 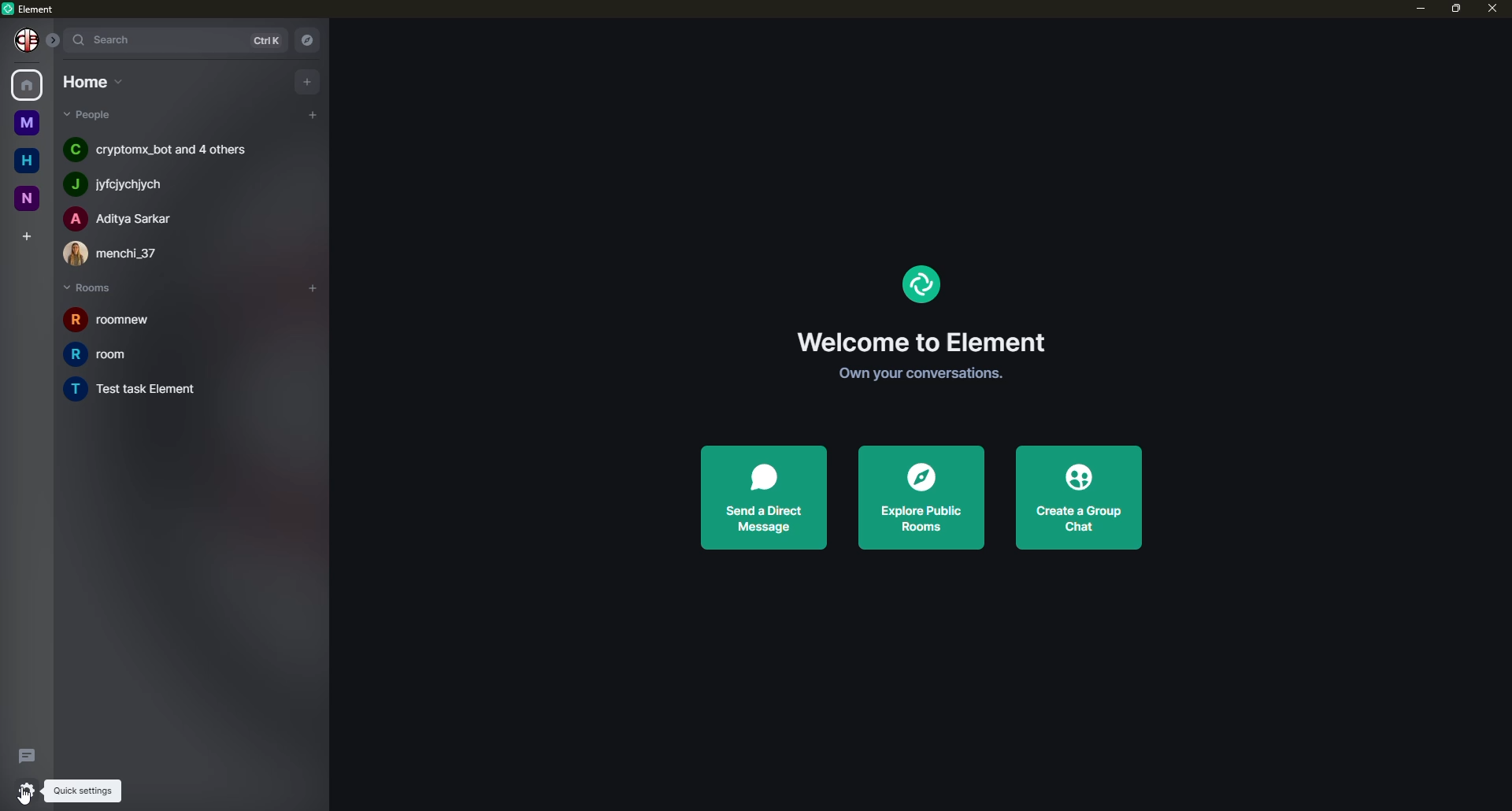 What do you see at coordinates (30, 797) in the screenshot?
I see `cursor` at bounding box center [30, 797].